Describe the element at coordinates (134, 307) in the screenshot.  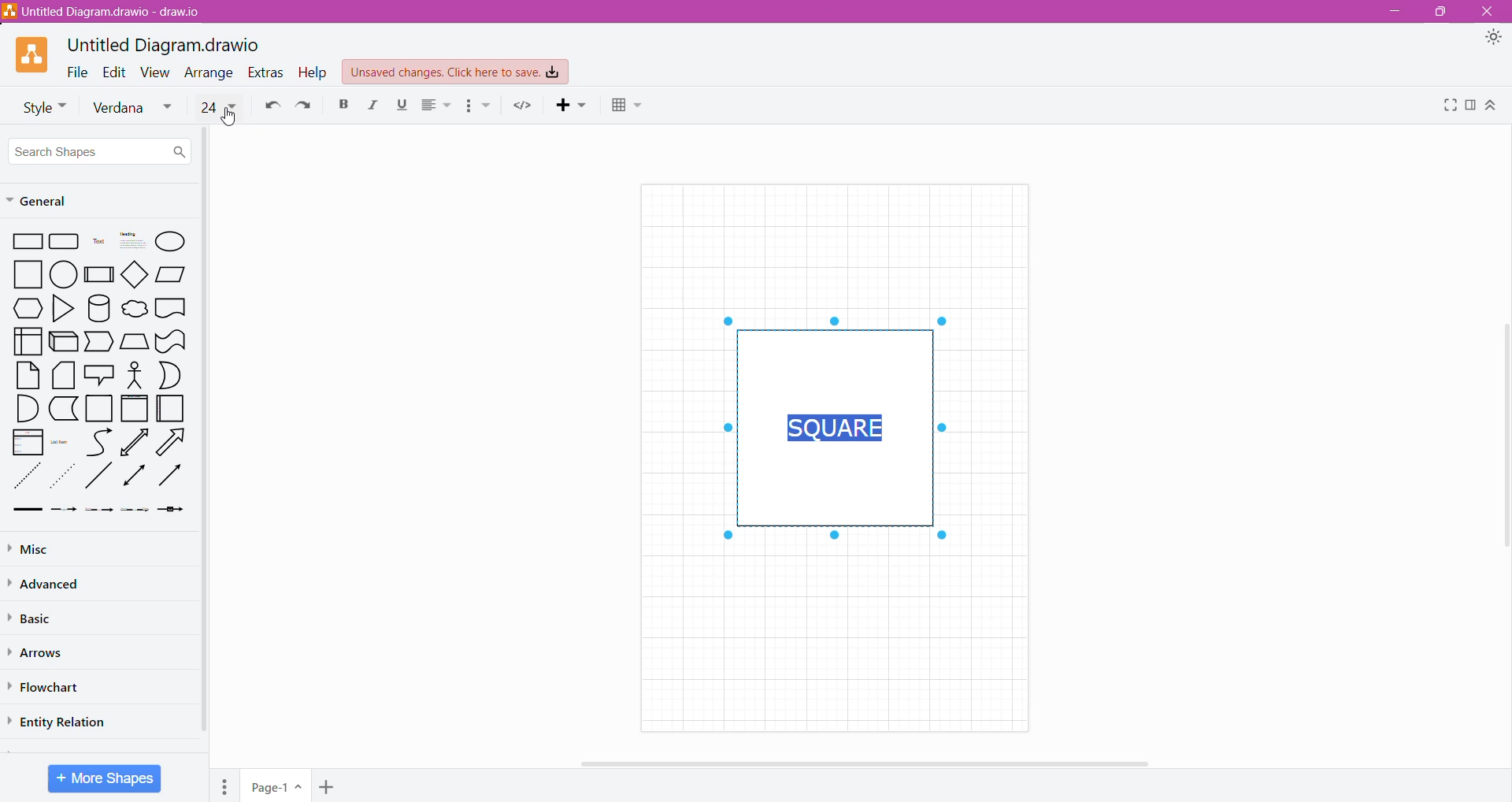
I see `cloud` at that location.